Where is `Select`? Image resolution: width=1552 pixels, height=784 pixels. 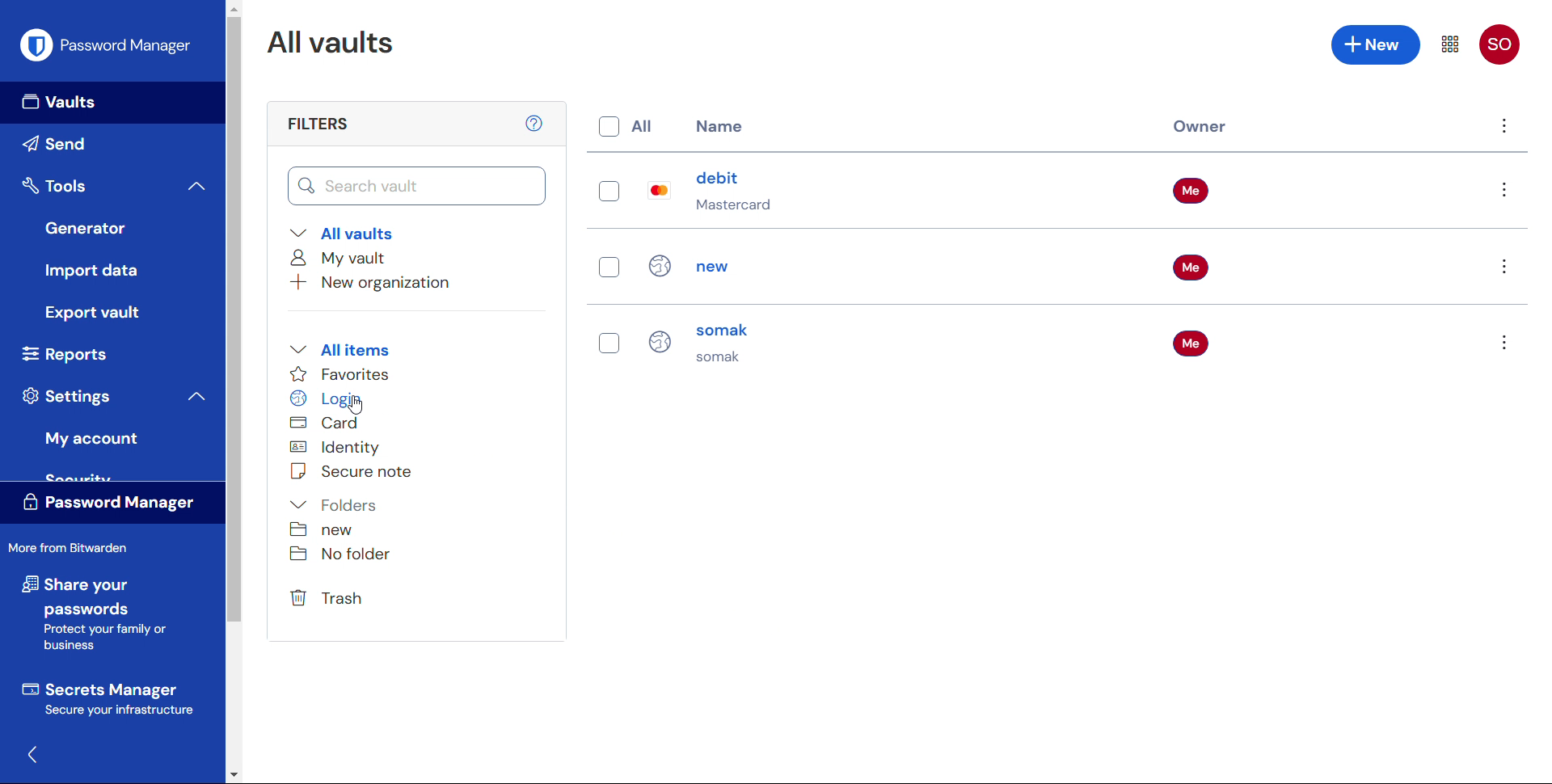
Select is located at coordinates (609, 266).